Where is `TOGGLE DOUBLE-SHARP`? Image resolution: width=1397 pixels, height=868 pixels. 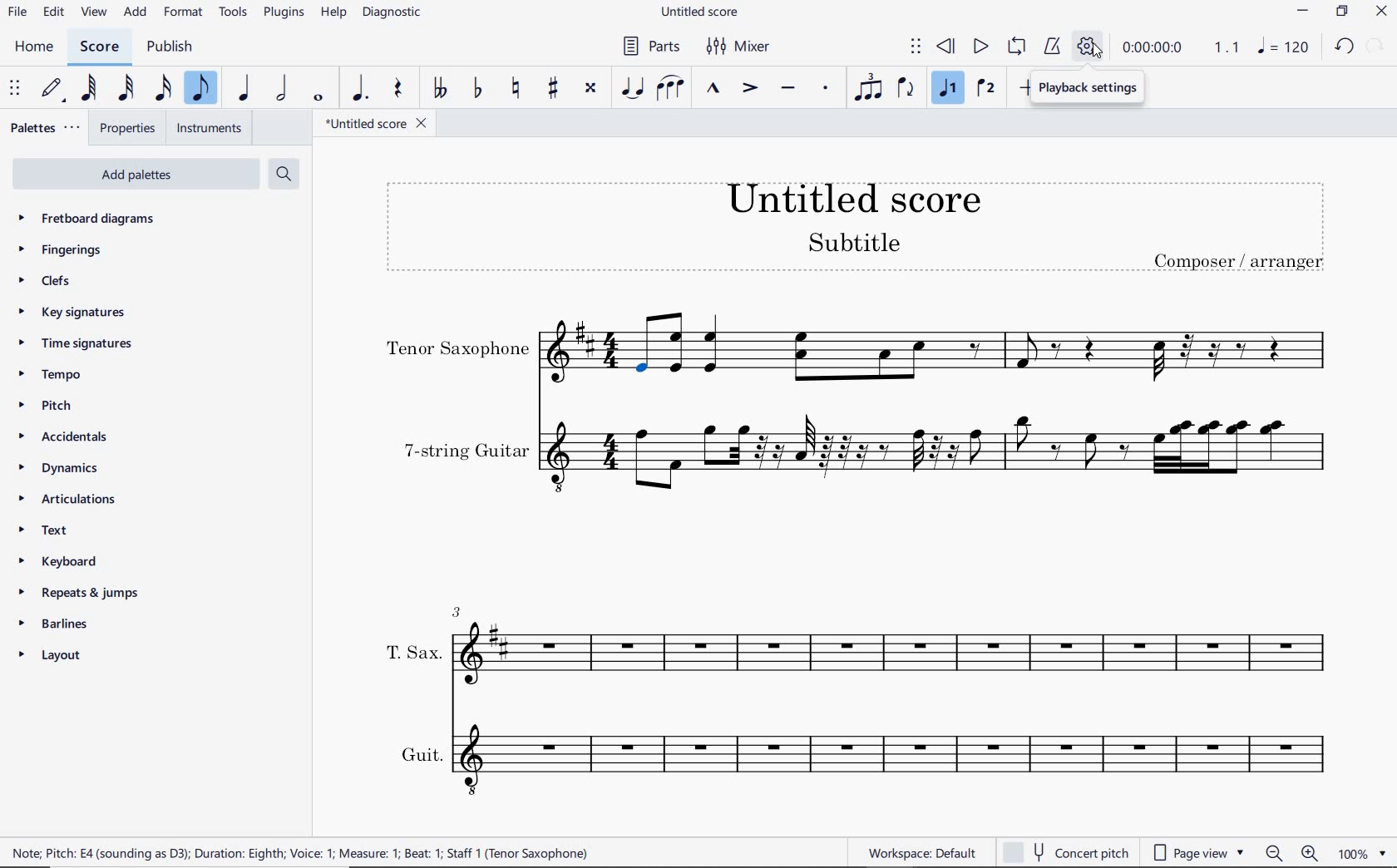
TOGGLE DOUBLE-SHARP is located at coordinates (590, 89).